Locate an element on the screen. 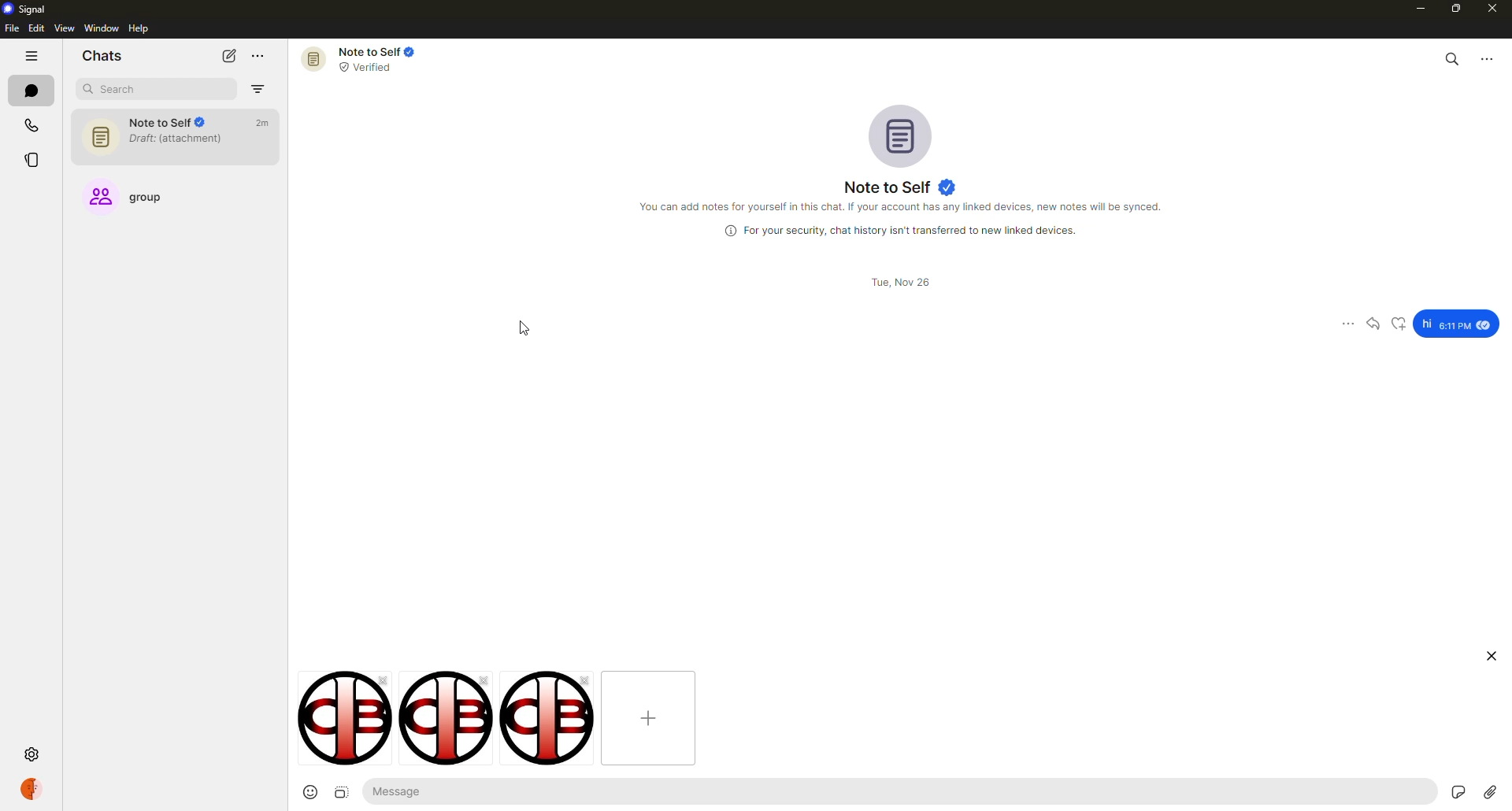  close is located at coordinates (1494, 655).